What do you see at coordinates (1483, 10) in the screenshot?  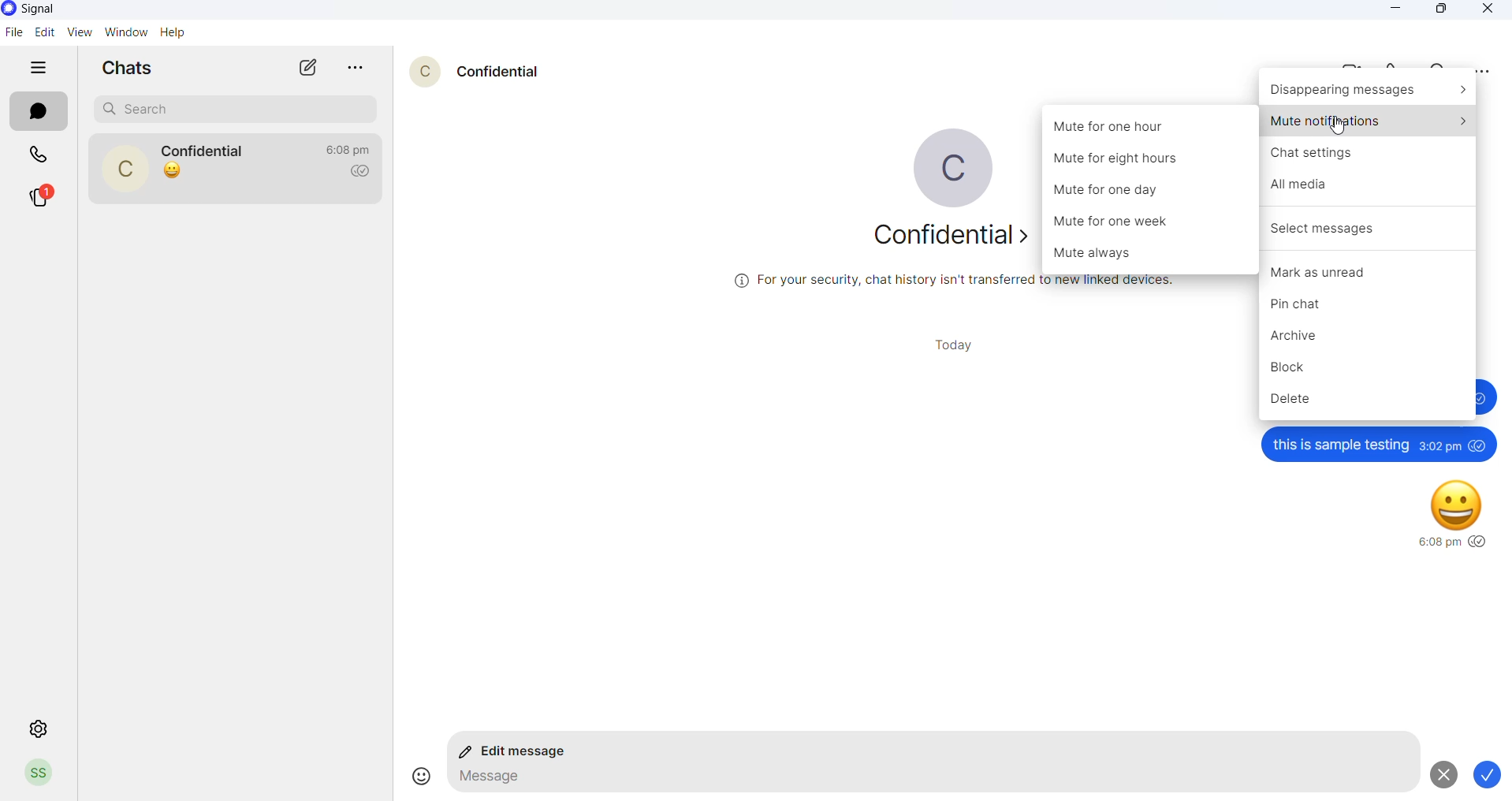 I see `close` at bounding box center [1483, 10].